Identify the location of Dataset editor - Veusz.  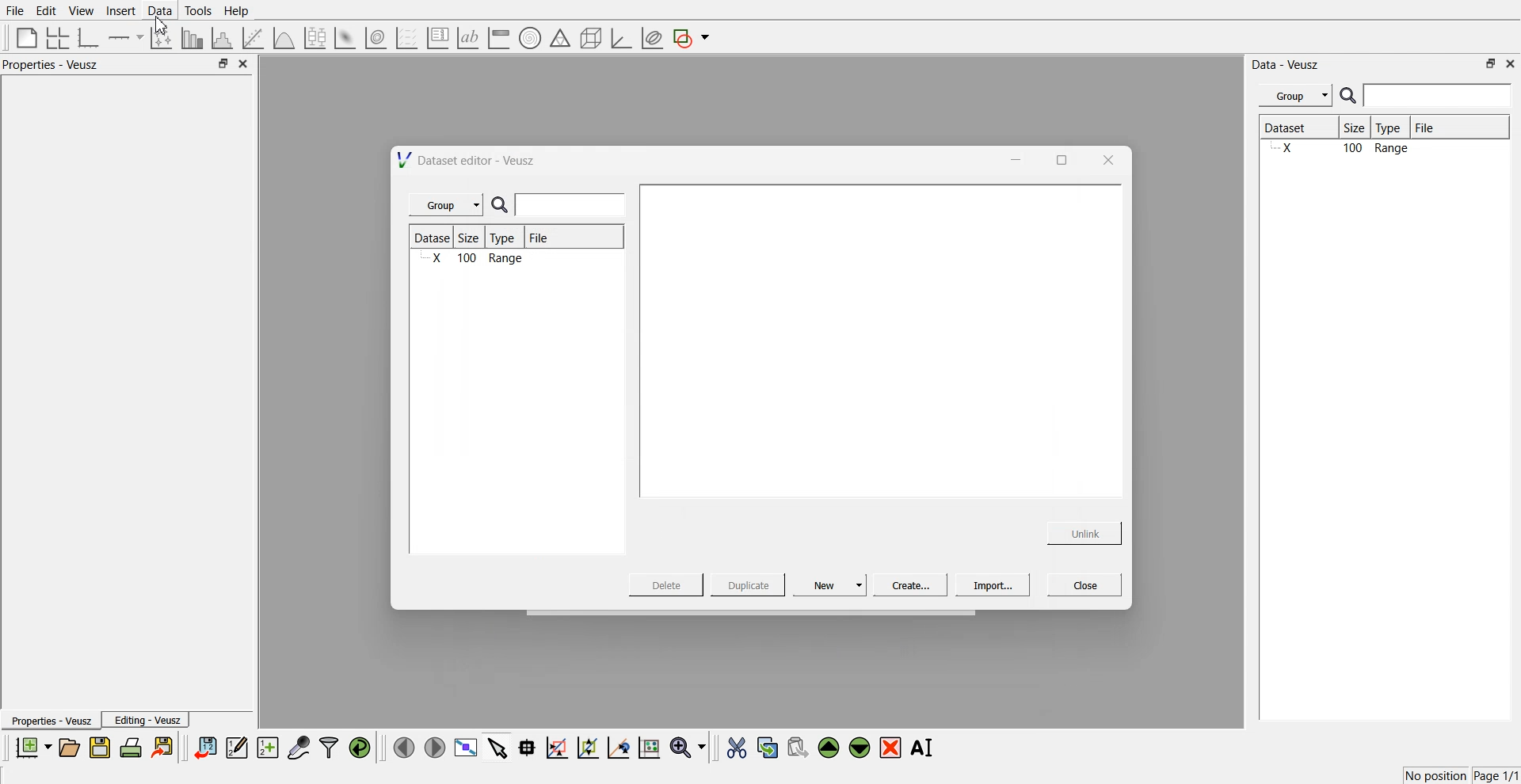
(468, 160).